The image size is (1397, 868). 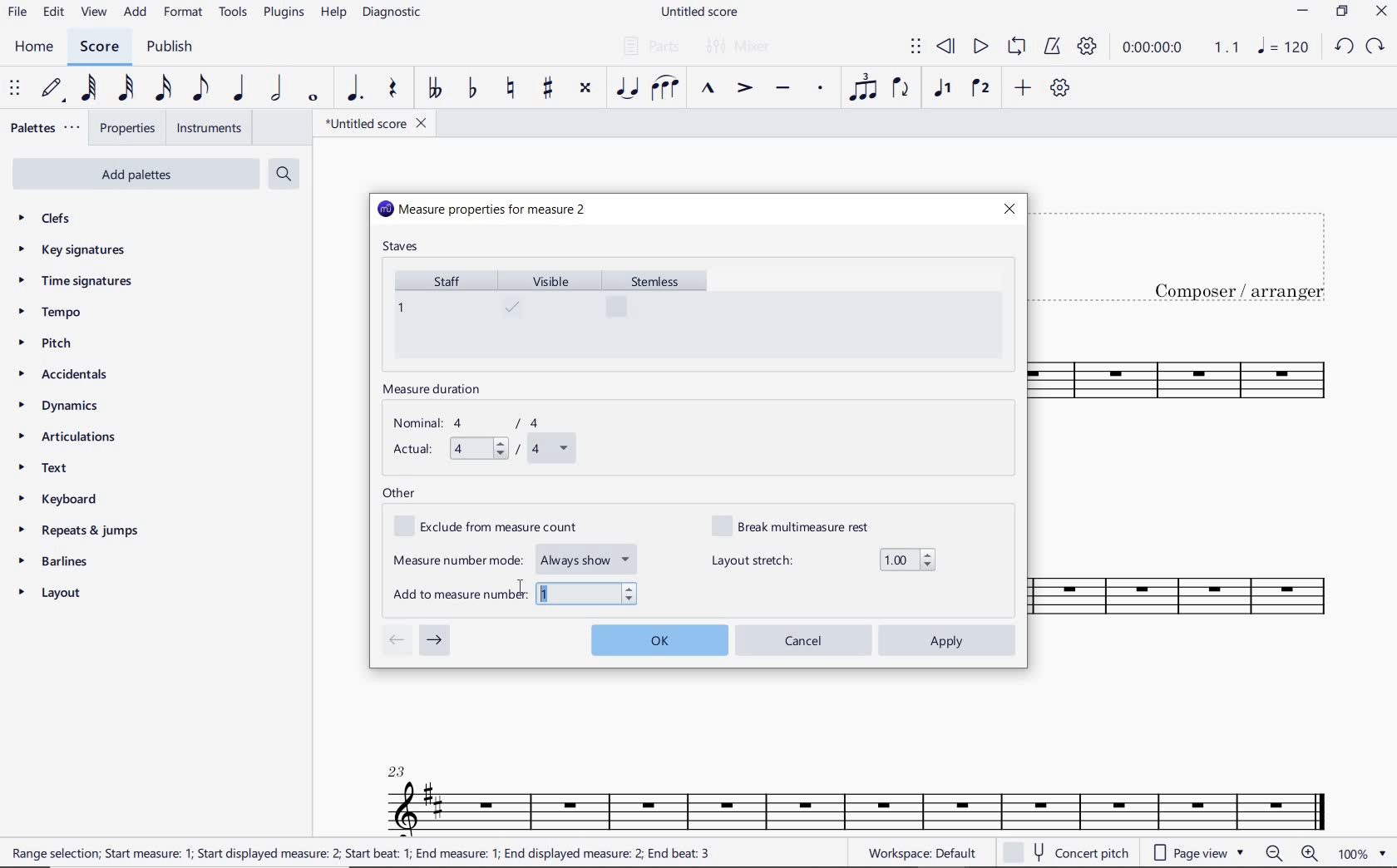 What do you see at coordinates (1362, 854) in the screenshot?
I see `zoom factor` at bounding box center [1362, 854].